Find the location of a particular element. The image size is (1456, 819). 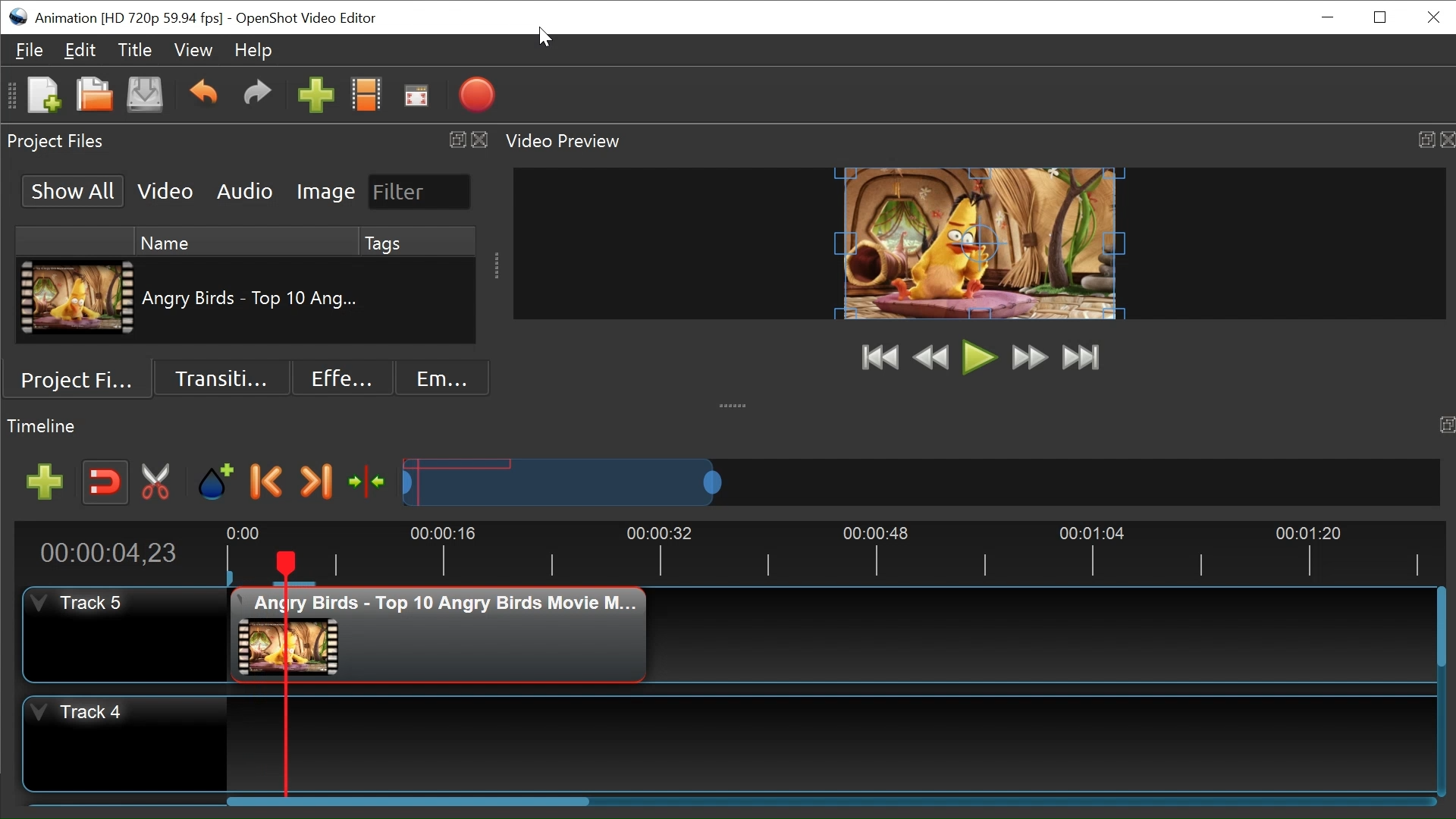

Choose Files is located at coordinates (367, 93).